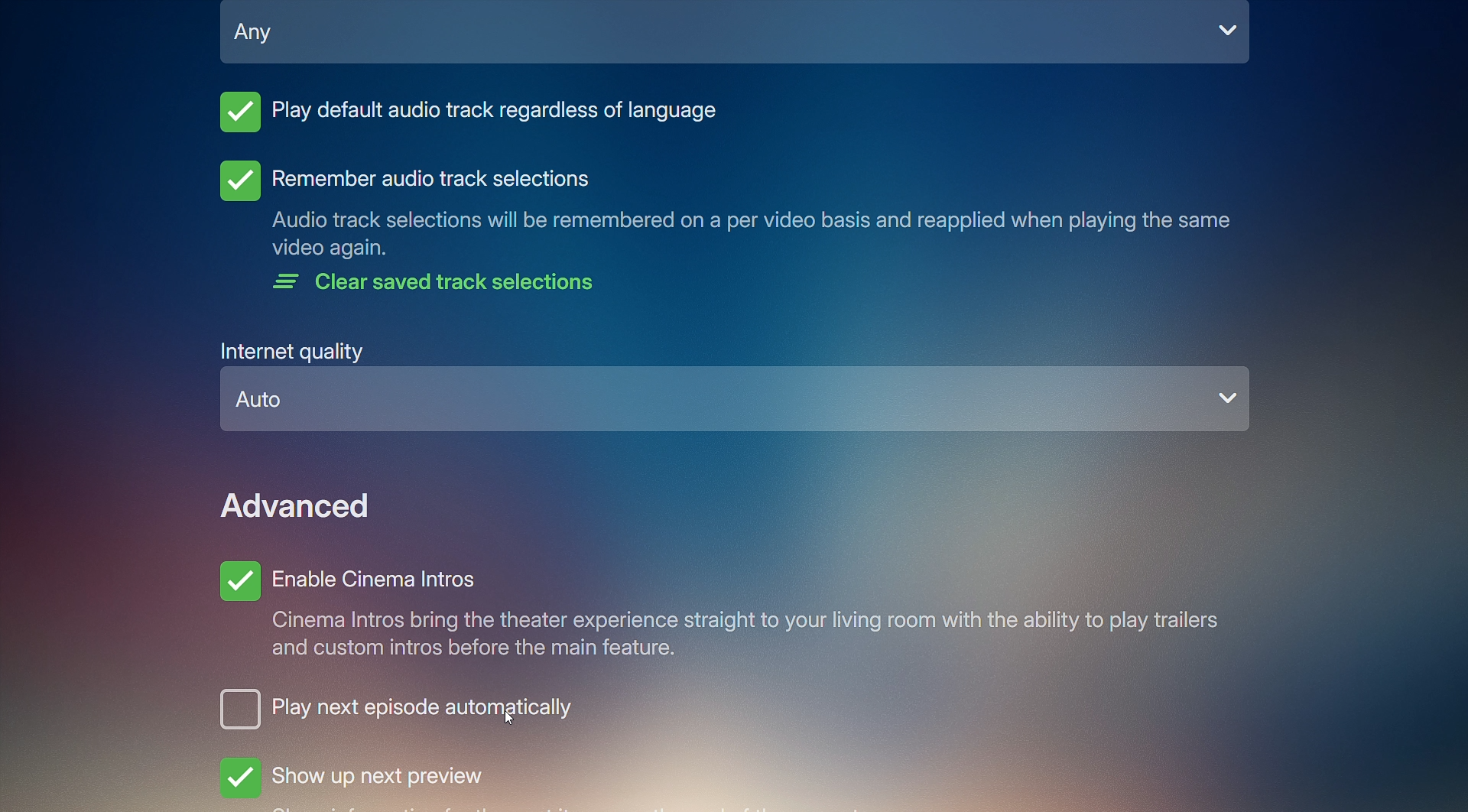 This screenshot has height=812, width=1468. I want to click on Advanced, so click(299, 505).